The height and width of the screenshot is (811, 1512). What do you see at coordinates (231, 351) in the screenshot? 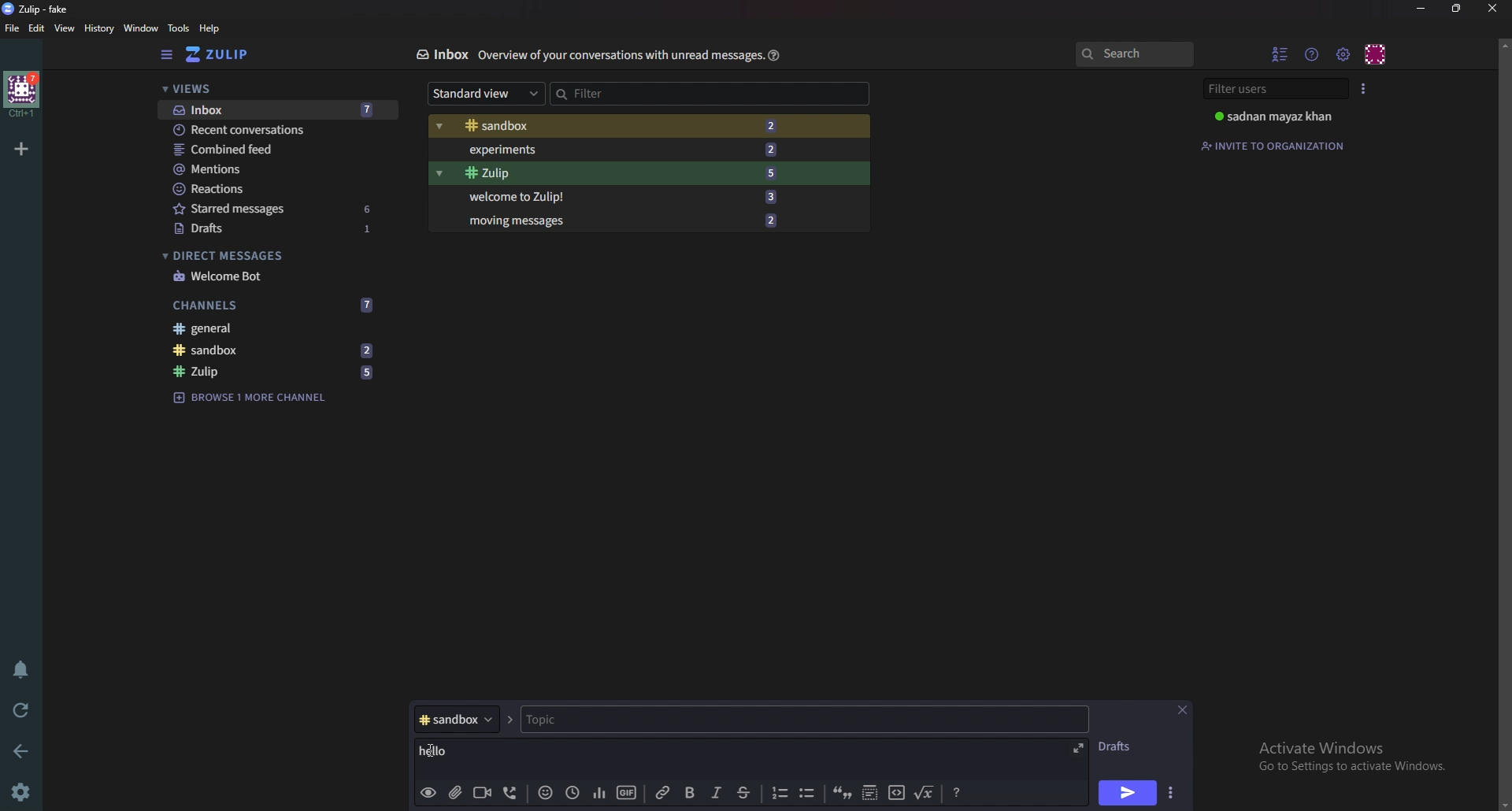
I see `# Sandbox` at bounding box center [231, 351].